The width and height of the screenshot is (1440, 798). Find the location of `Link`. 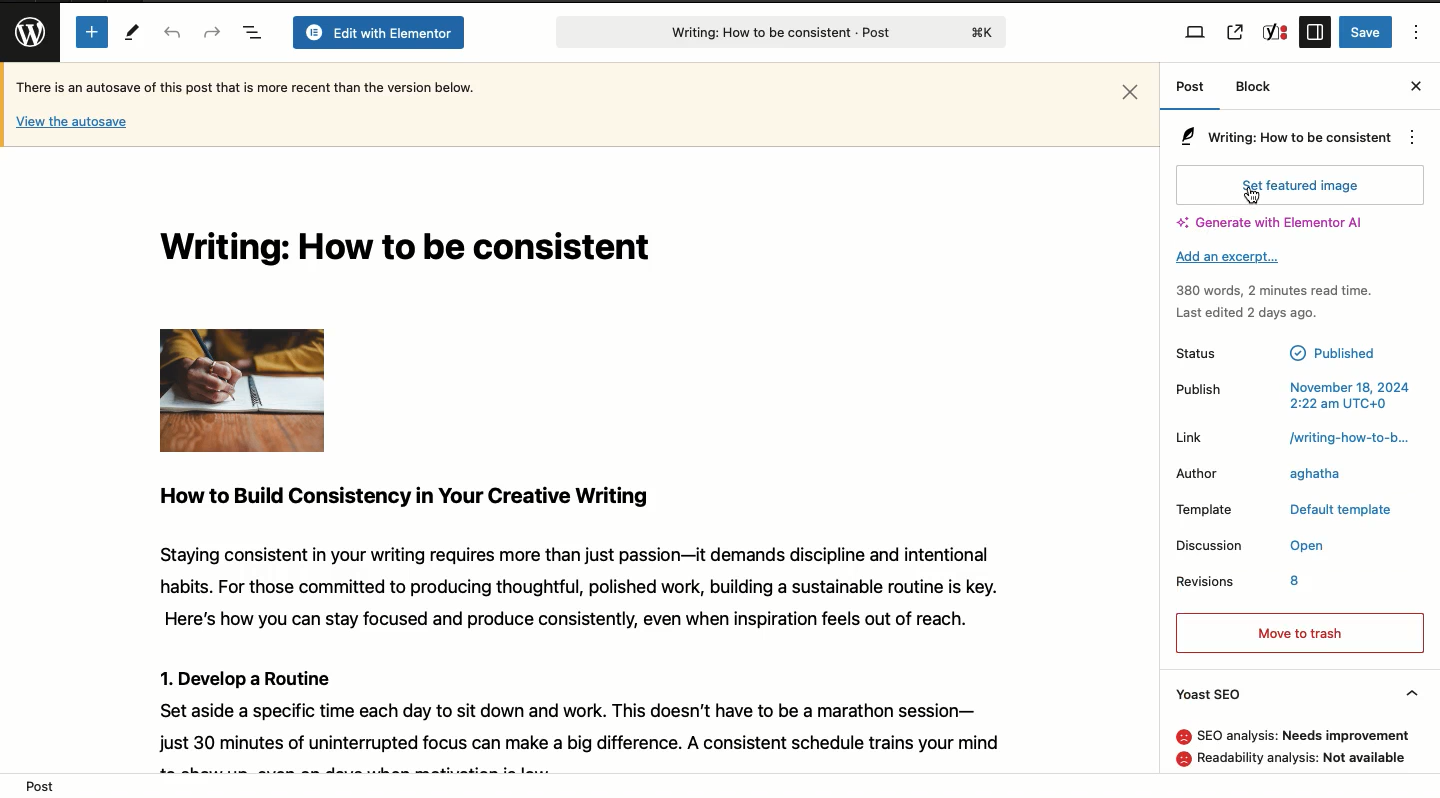

Link is located at coordinates (1190, 437).